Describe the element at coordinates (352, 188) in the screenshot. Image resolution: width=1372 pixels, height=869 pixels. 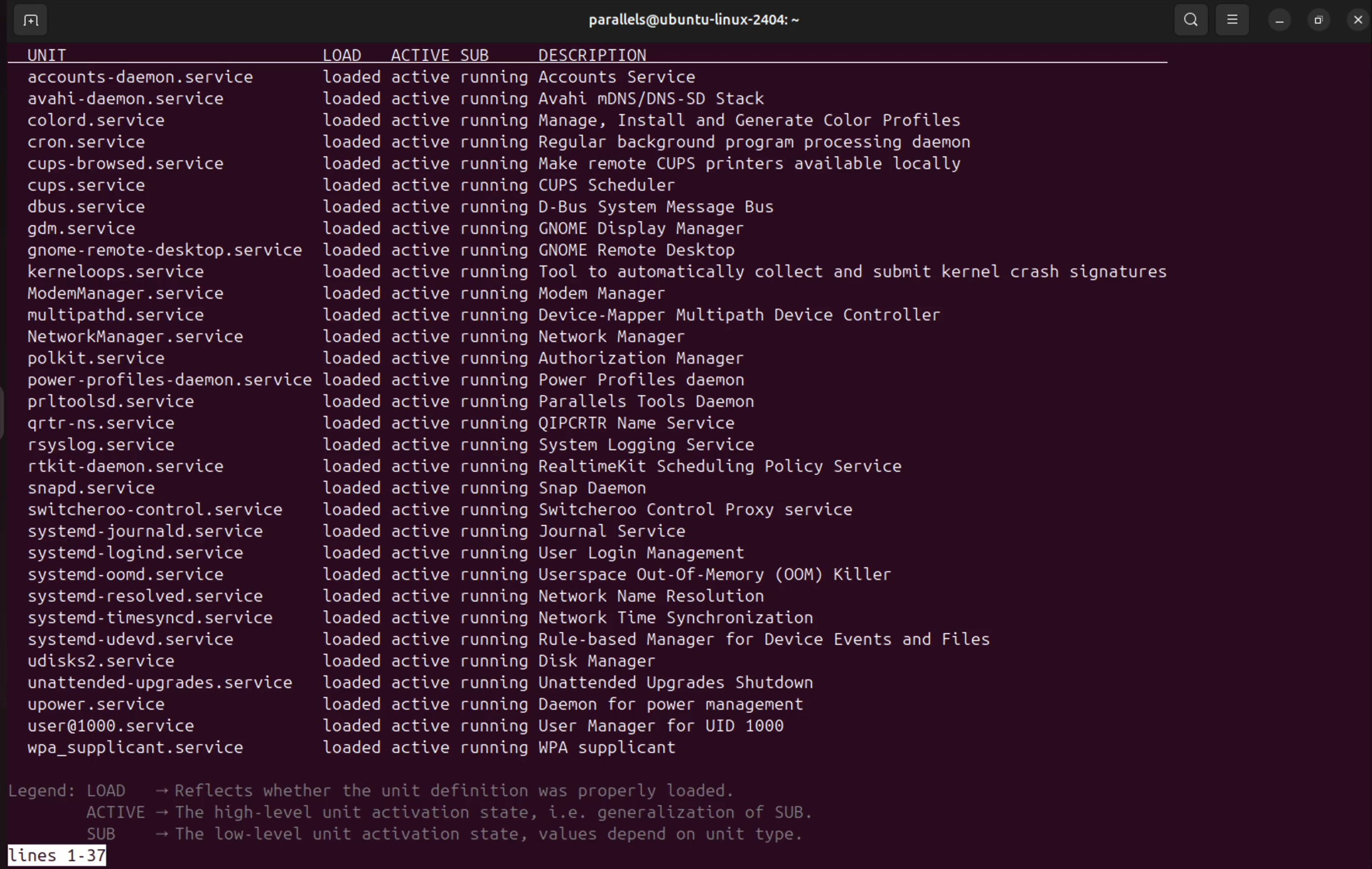
I see `loaded` at that location.